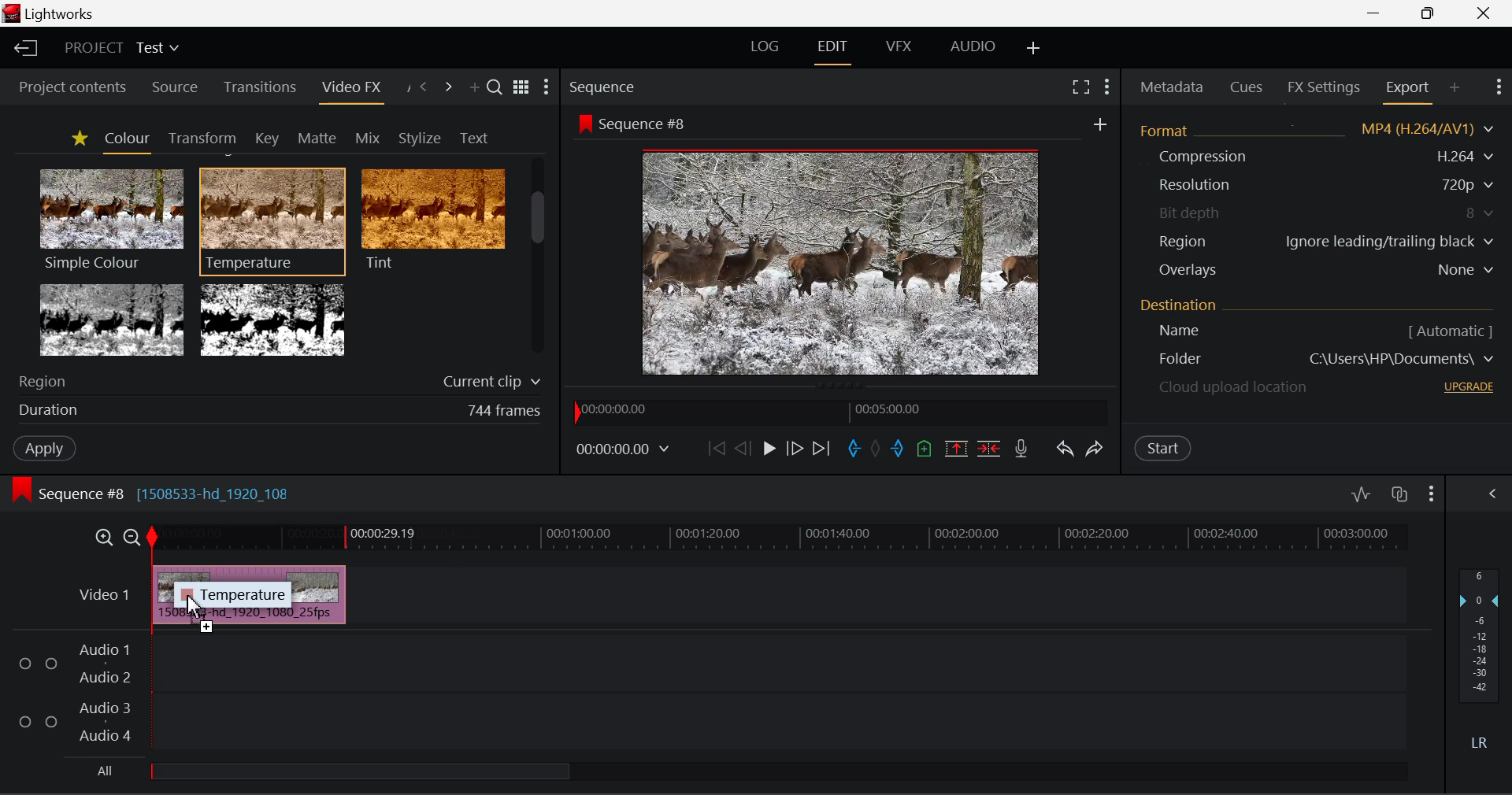  I want to click on Lightworks, so click(63, 14).